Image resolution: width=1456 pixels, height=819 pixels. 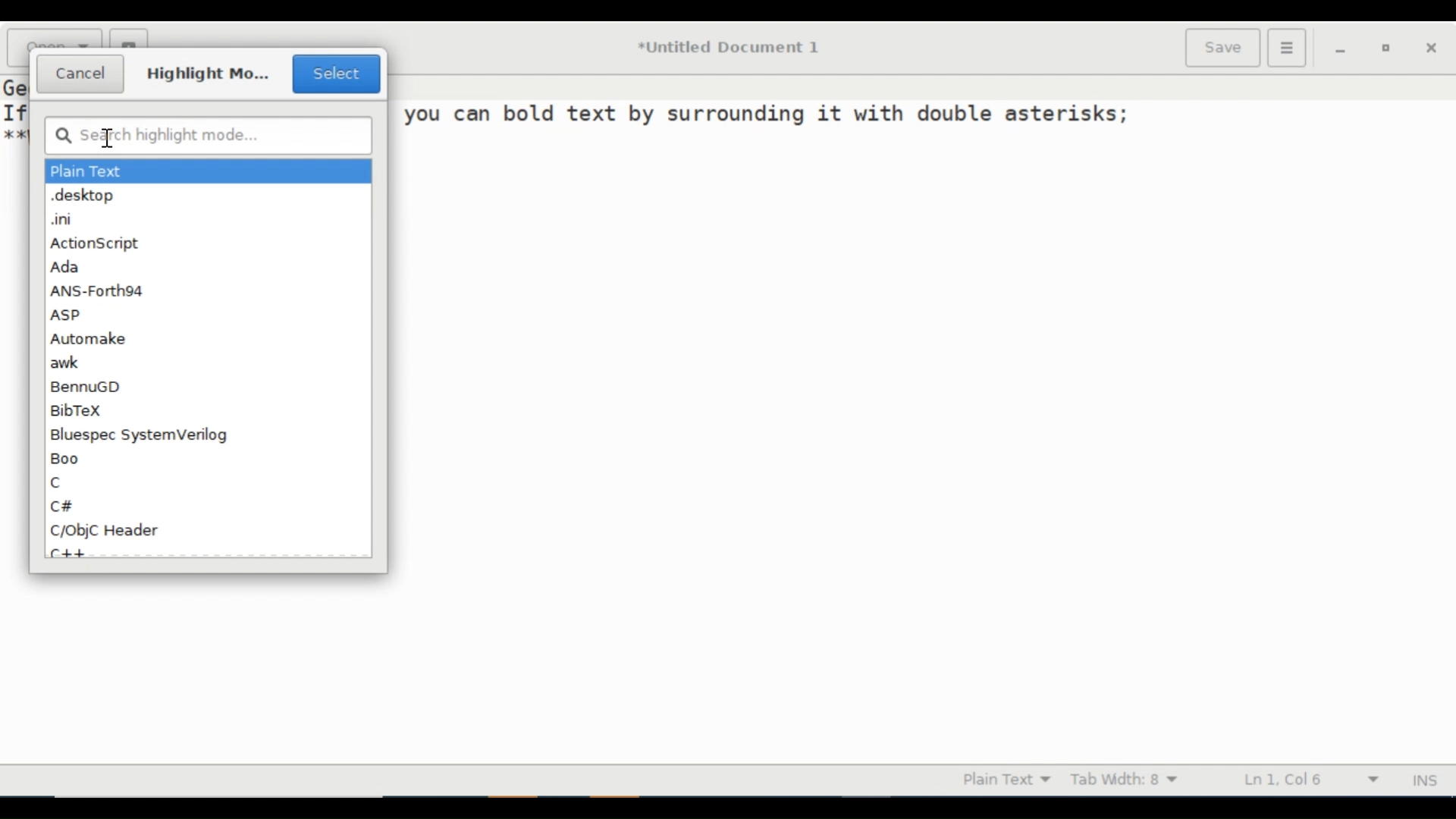 I want to click on ANS-Forth94, so click(x=99, y=290).